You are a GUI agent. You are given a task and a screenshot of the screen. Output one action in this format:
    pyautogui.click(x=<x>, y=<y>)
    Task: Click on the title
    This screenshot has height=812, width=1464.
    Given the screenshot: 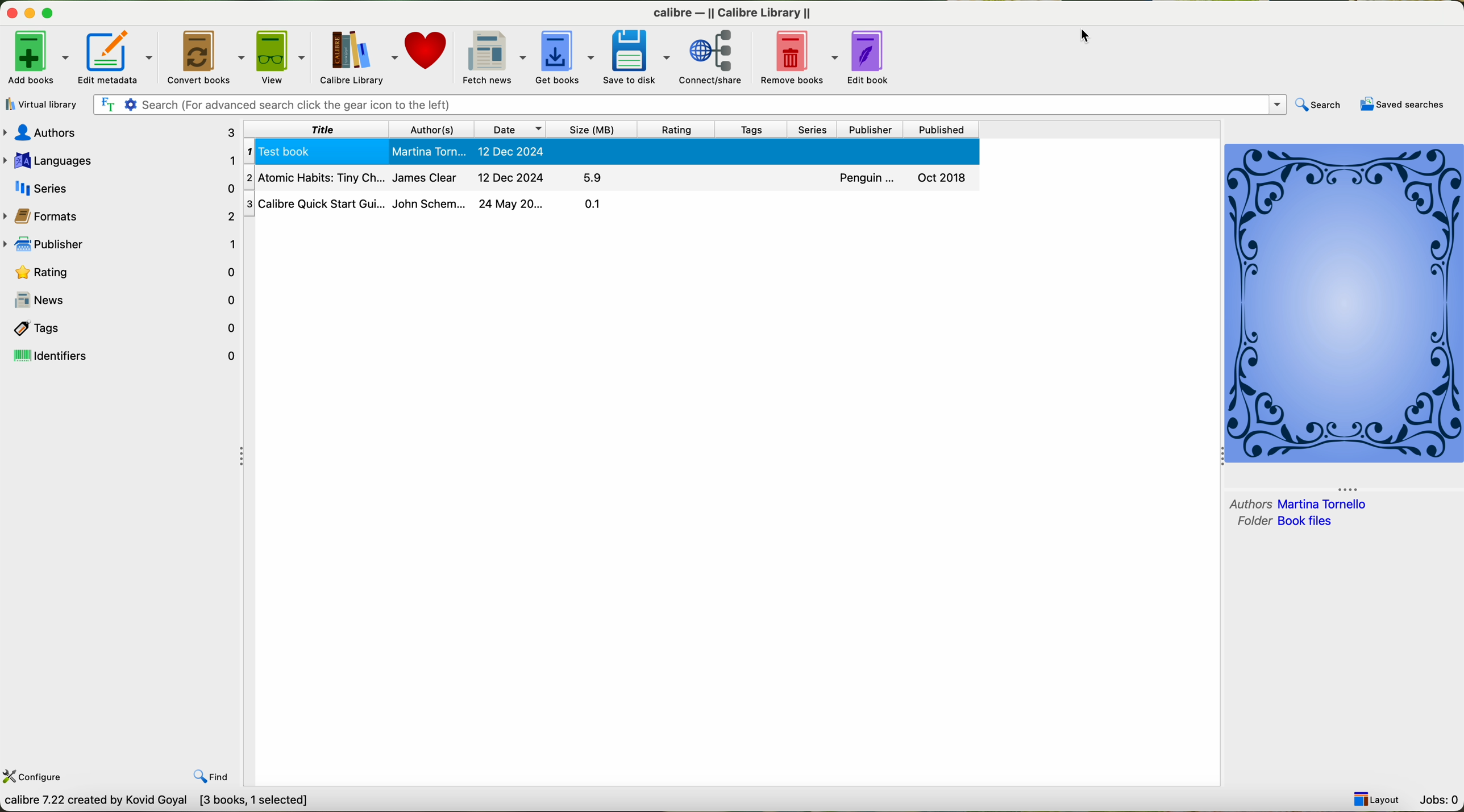 What is the action you would take?
    pyautogui.click(x=319, y=128)
    